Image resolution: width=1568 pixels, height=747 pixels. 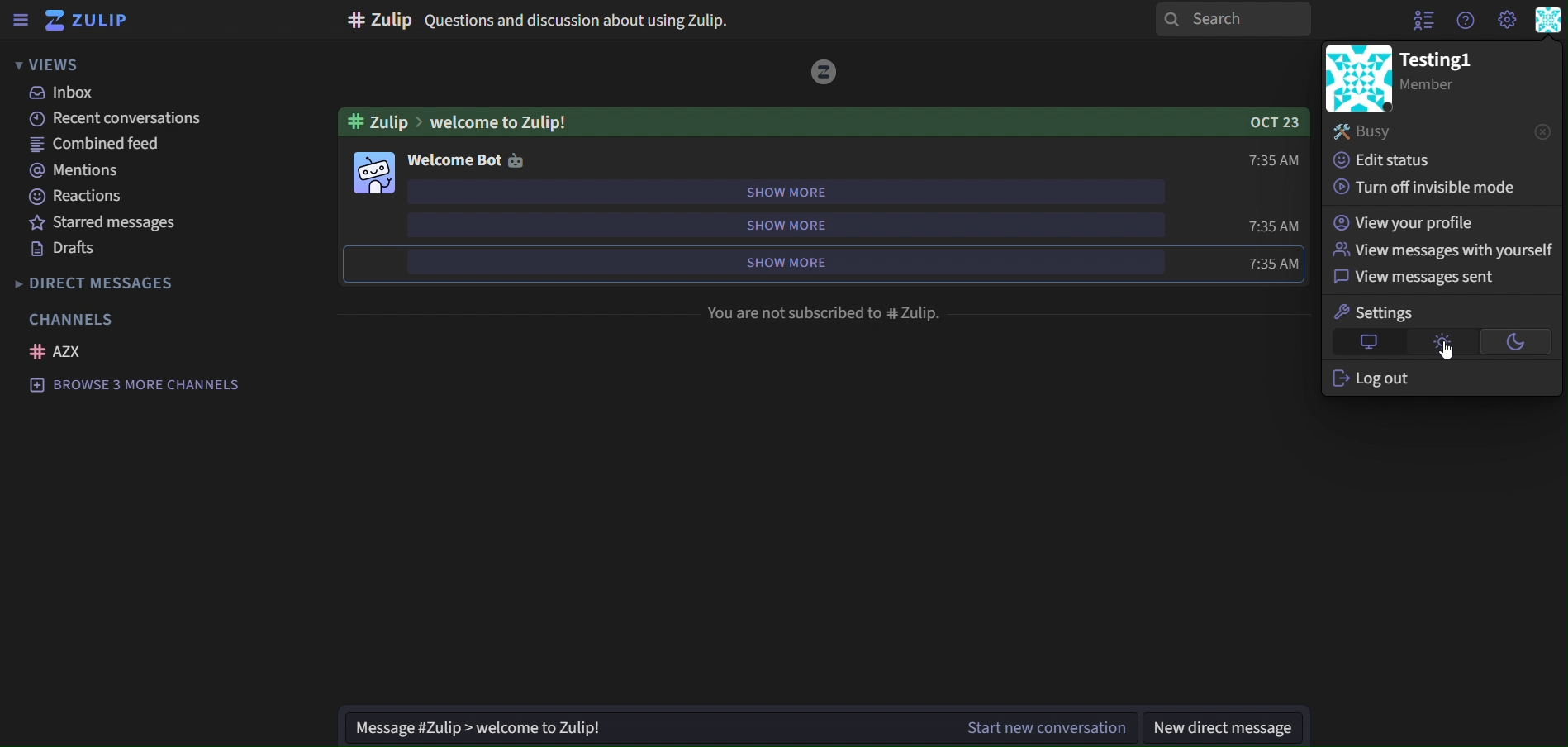 What do you see at coordinates (1551, 21) in the screenshot?
I see `personal menu` at bounding box center [1551, 21].